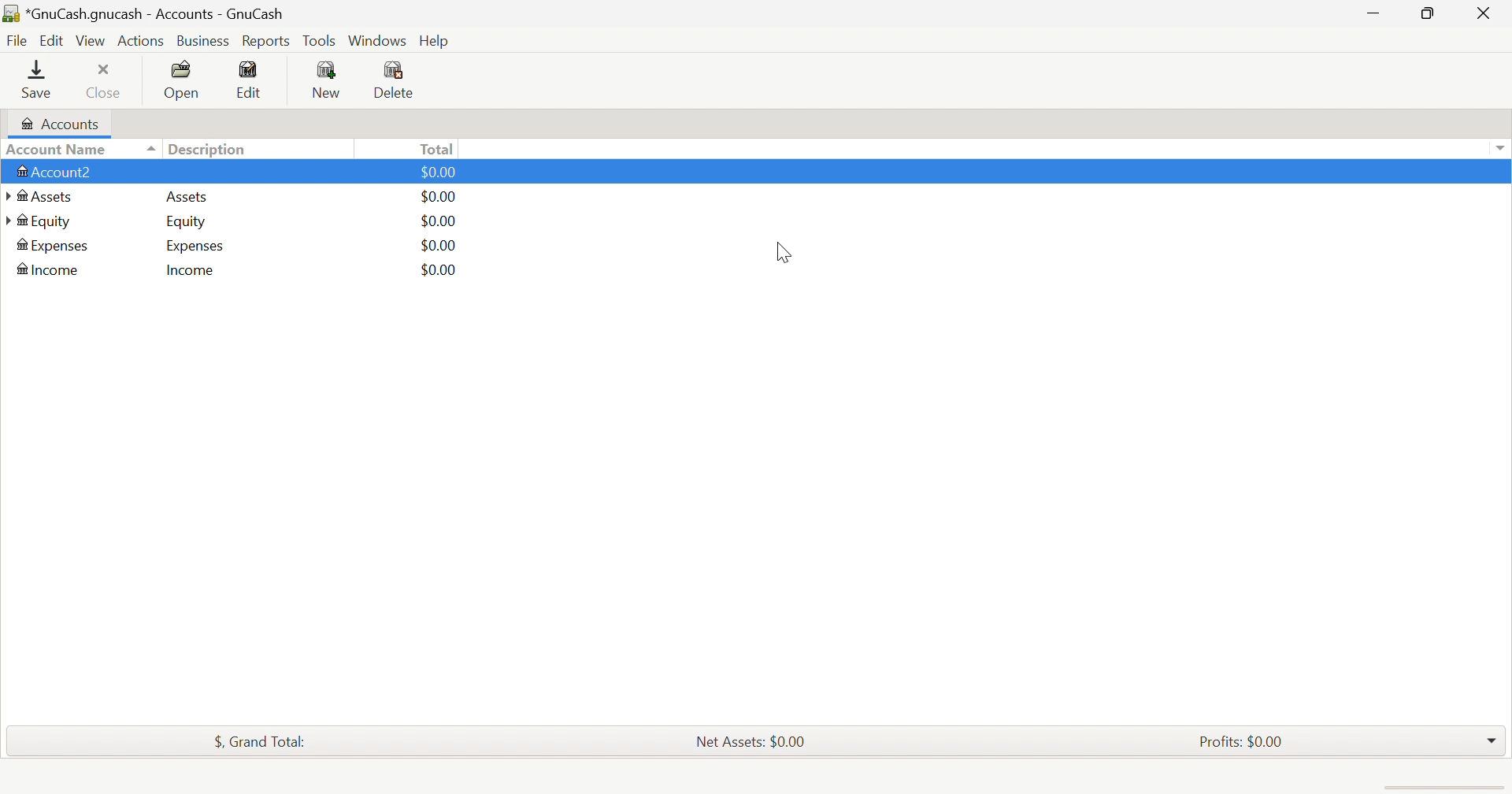 The image size is (1512, 794). Describe the element at coordinates (755, 741) in the screenshot. I see `Net Assets: $0.00` at that location.